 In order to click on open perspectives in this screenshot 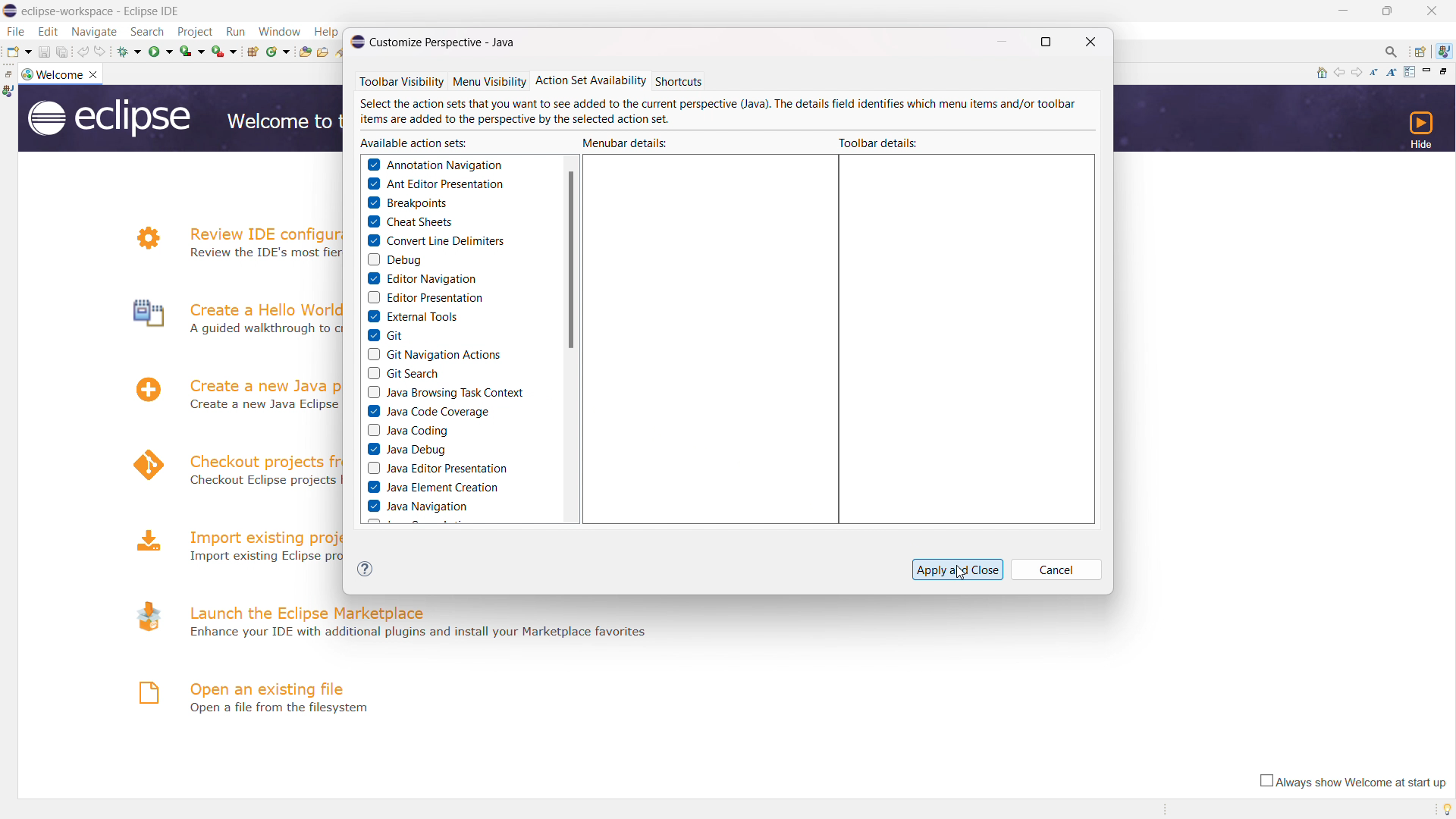, I will do `click(1420, 52)`.